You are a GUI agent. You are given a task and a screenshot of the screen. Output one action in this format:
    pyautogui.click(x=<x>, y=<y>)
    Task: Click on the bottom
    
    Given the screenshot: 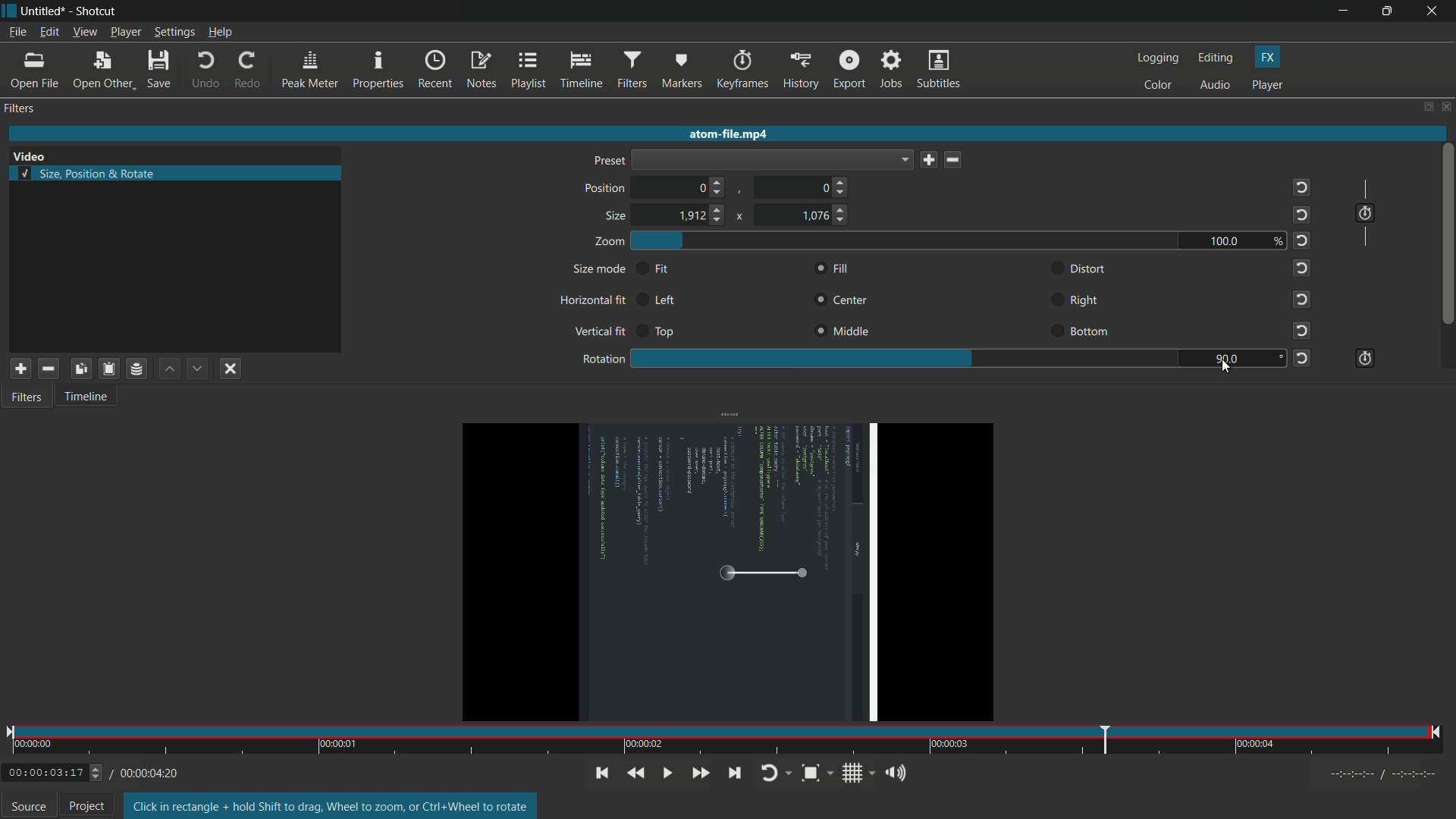 What is the action you would take?
    pyautogui.click(x=1091, y=331)
    